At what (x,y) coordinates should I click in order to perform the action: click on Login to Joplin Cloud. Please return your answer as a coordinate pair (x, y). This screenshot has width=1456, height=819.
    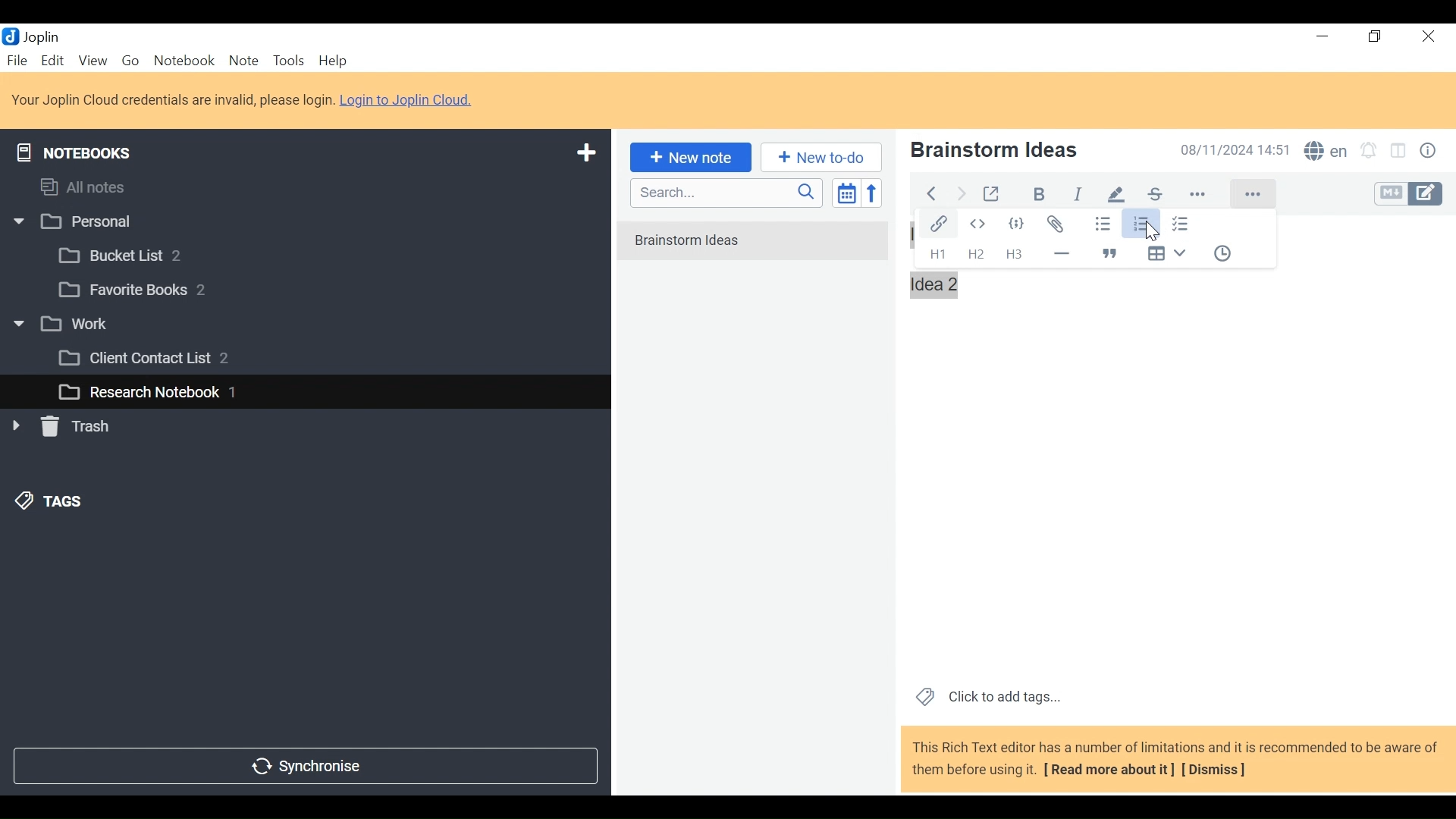
    Looking at the image, I should click on (411, 100).